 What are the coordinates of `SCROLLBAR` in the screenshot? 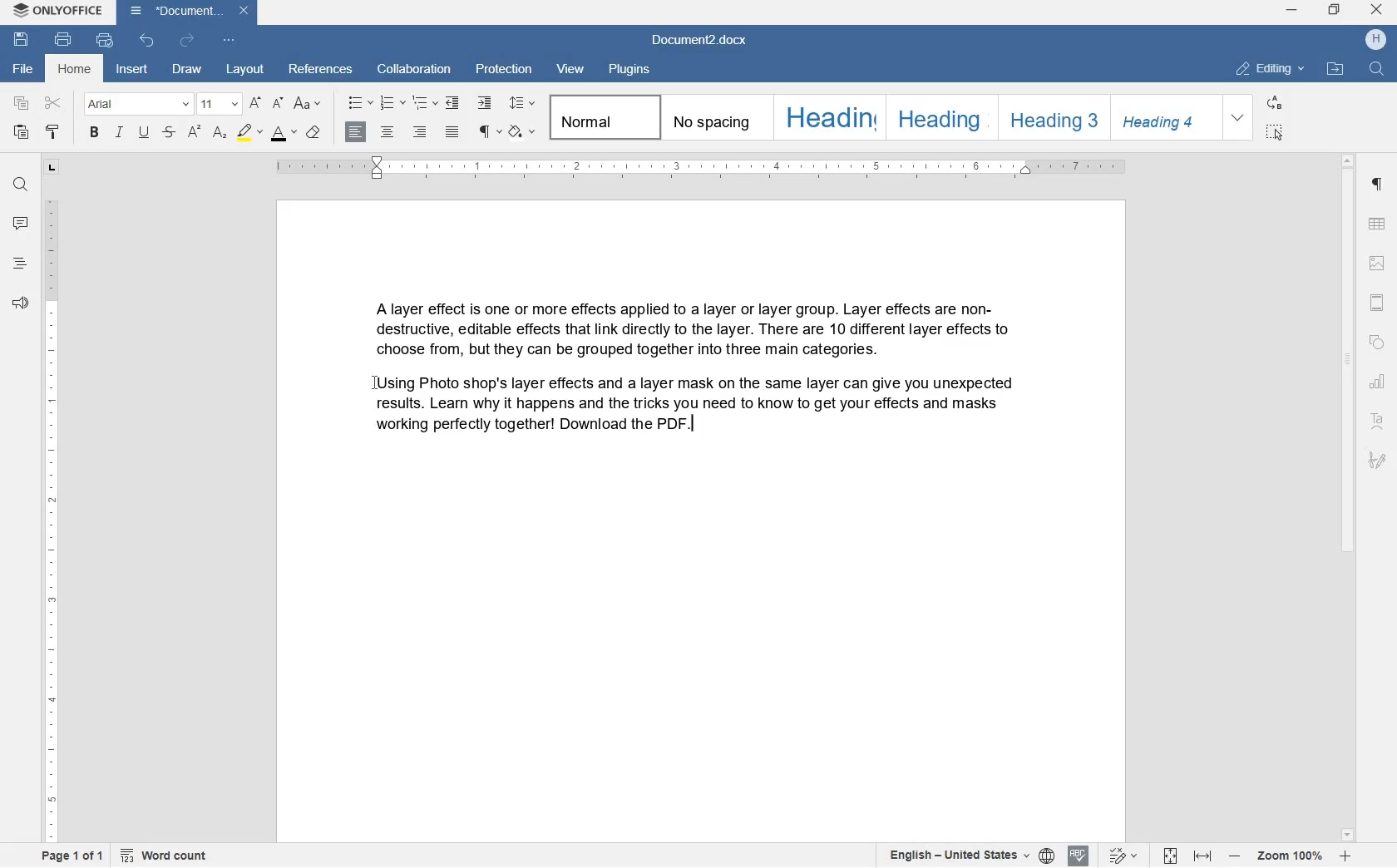 It's located at (1348, 498).